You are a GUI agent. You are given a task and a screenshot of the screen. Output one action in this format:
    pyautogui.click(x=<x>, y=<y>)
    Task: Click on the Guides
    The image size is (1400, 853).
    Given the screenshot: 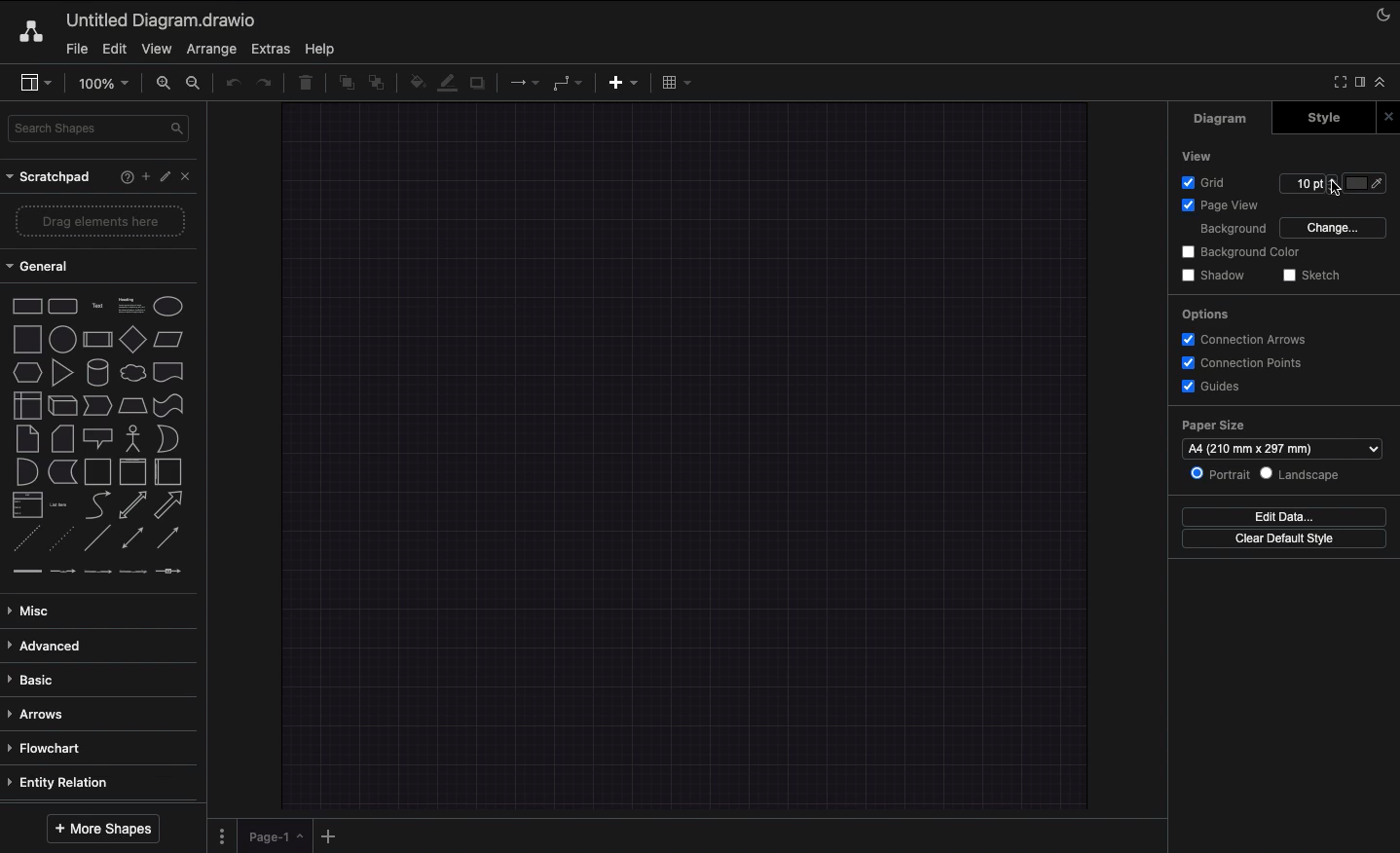 What is the action you would take?
    pyautogui.click(x=1215, y=387)
    